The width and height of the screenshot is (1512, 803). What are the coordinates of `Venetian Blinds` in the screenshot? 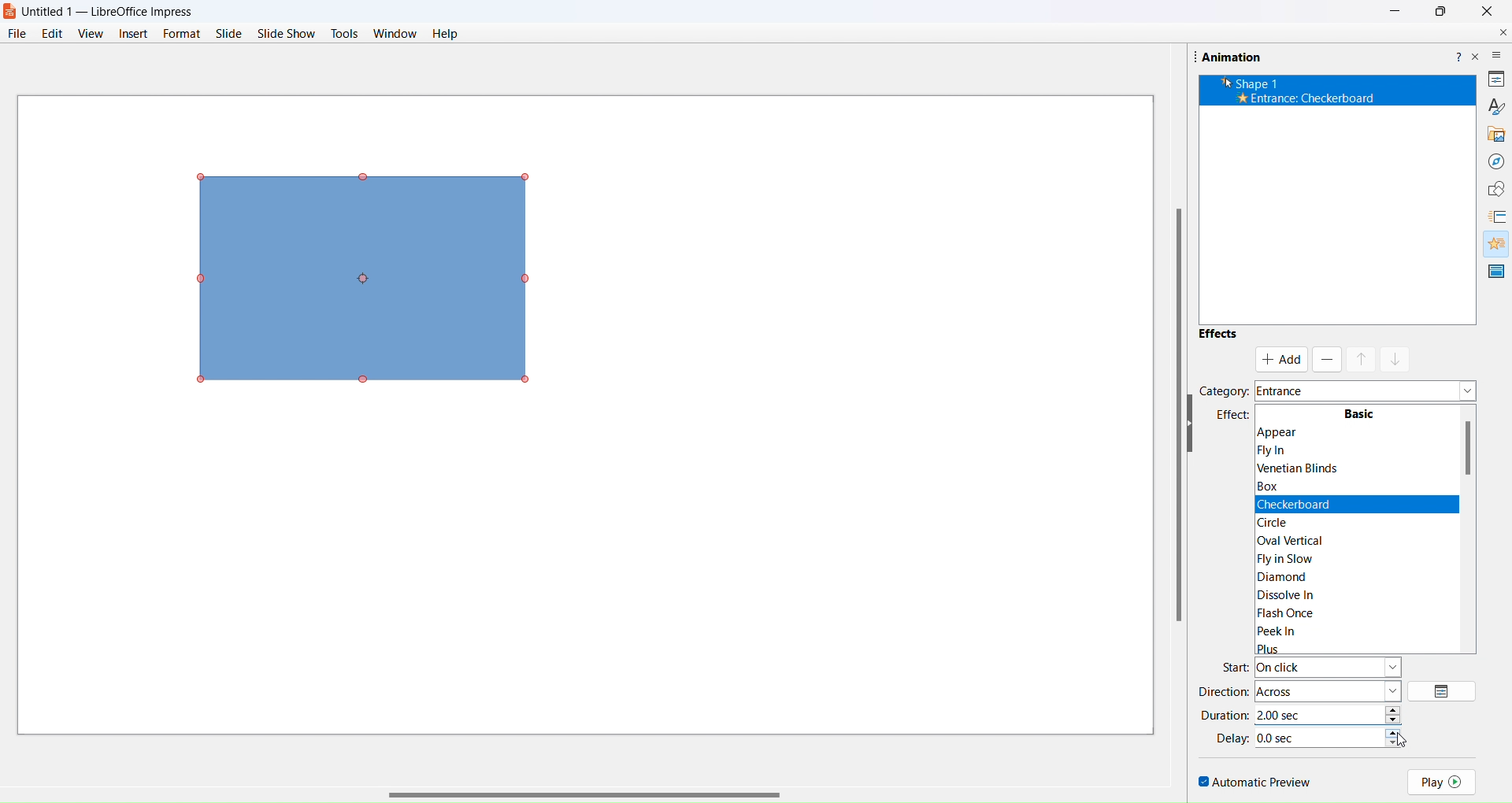 It's located at (1303, 468).